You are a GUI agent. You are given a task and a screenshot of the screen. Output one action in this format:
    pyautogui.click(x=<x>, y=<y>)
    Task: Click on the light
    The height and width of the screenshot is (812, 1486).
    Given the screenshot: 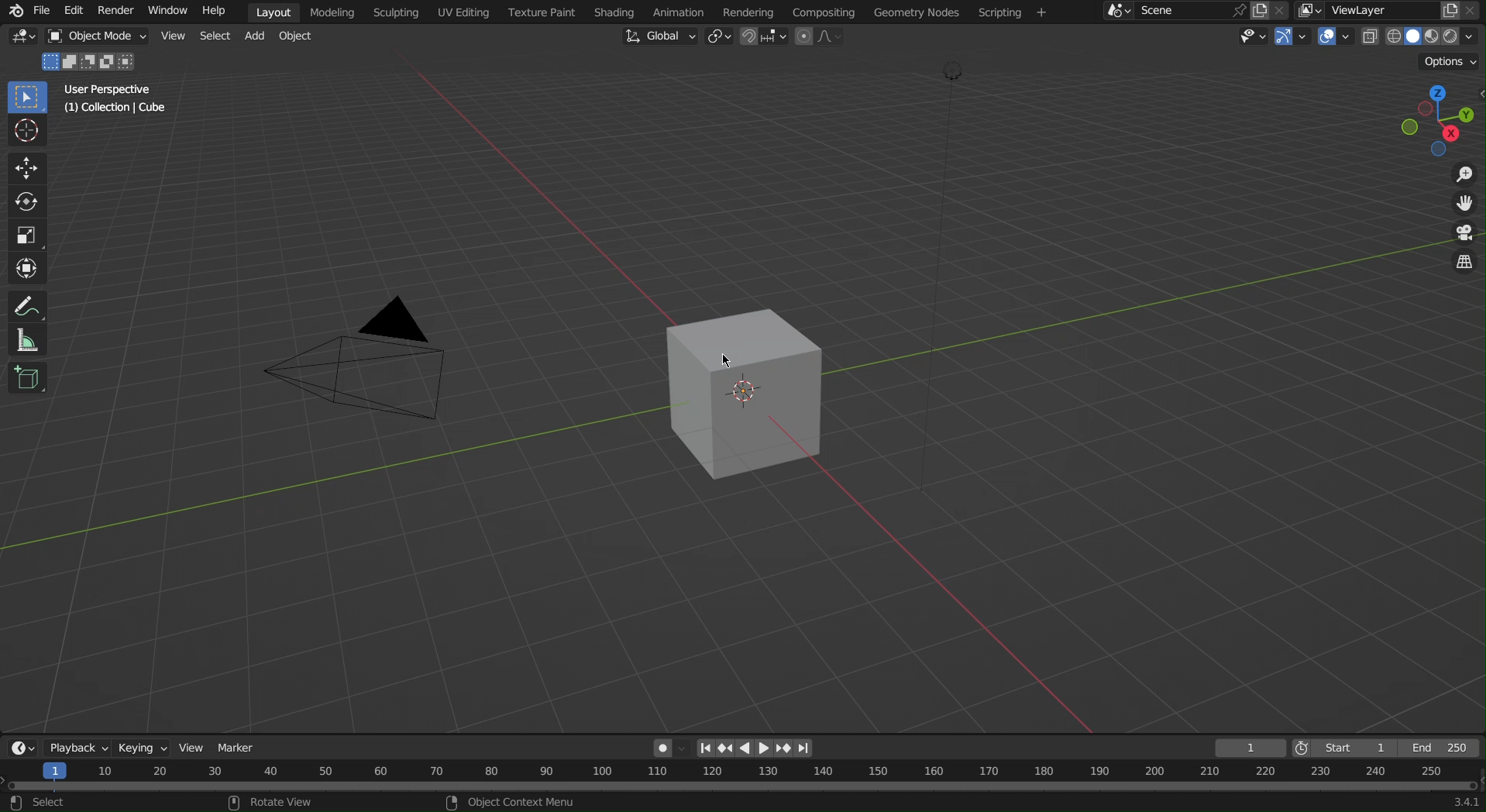 What is the action you would take?
    pyautogui.click(x=941, y=229)
    